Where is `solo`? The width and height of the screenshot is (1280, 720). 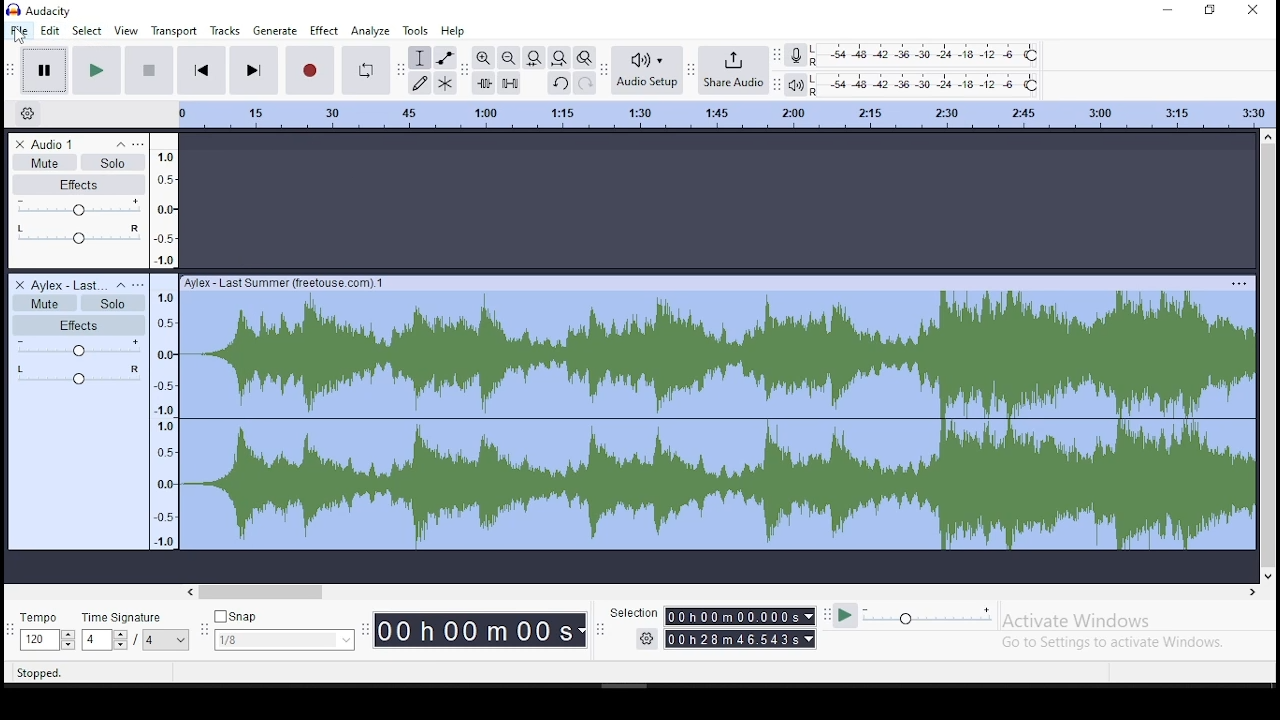
solo is located at coordinates (111, 304).